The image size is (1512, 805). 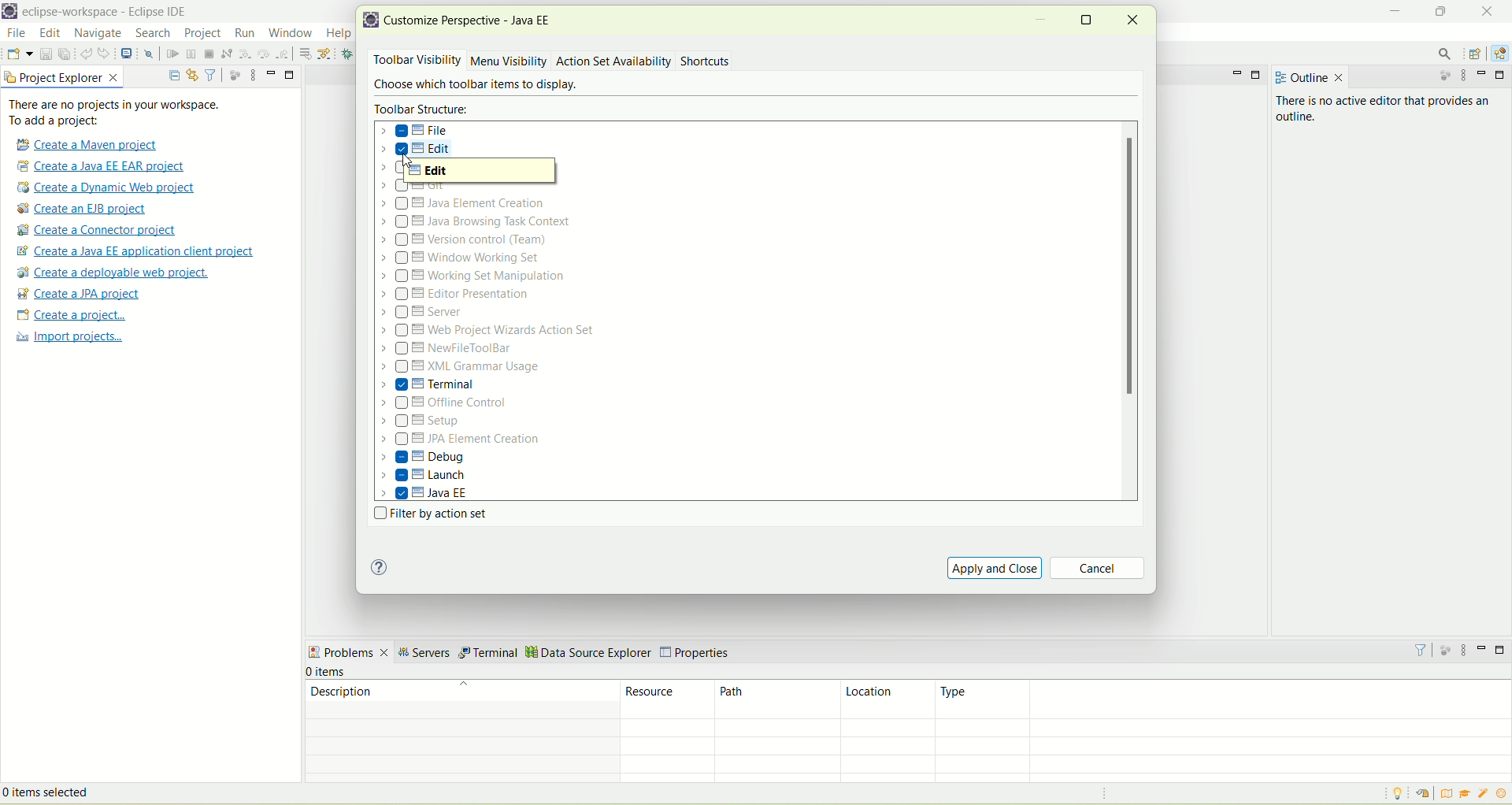 What do you see at coordinates (91, 143) in the screenshot?
I see `create a Maven project` at bounding box center [91, 143].